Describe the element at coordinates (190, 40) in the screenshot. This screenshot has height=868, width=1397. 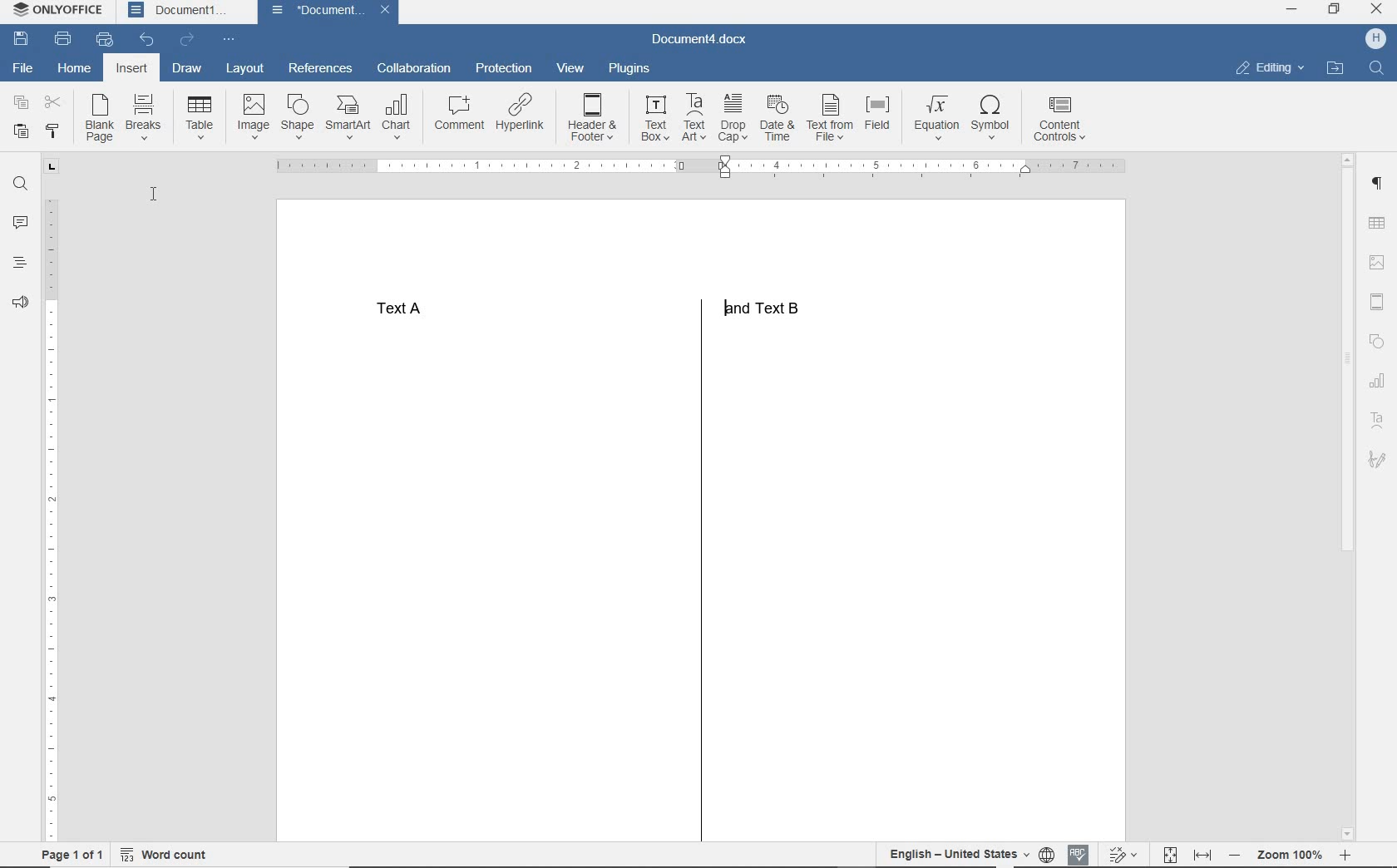
I see `REDO` at that location.